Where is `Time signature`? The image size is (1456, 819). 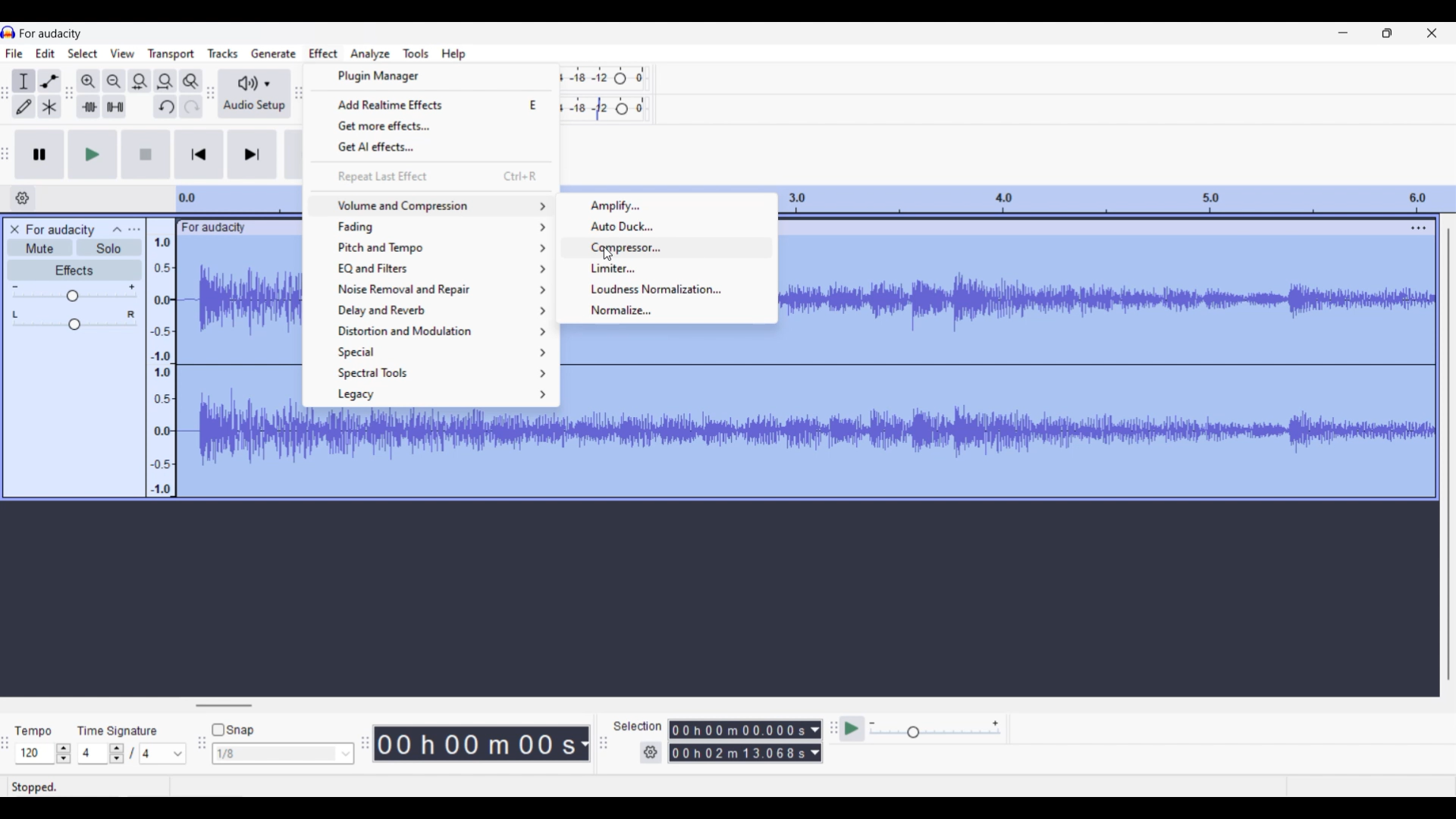
Time signature is located at coordinates (118, 730).